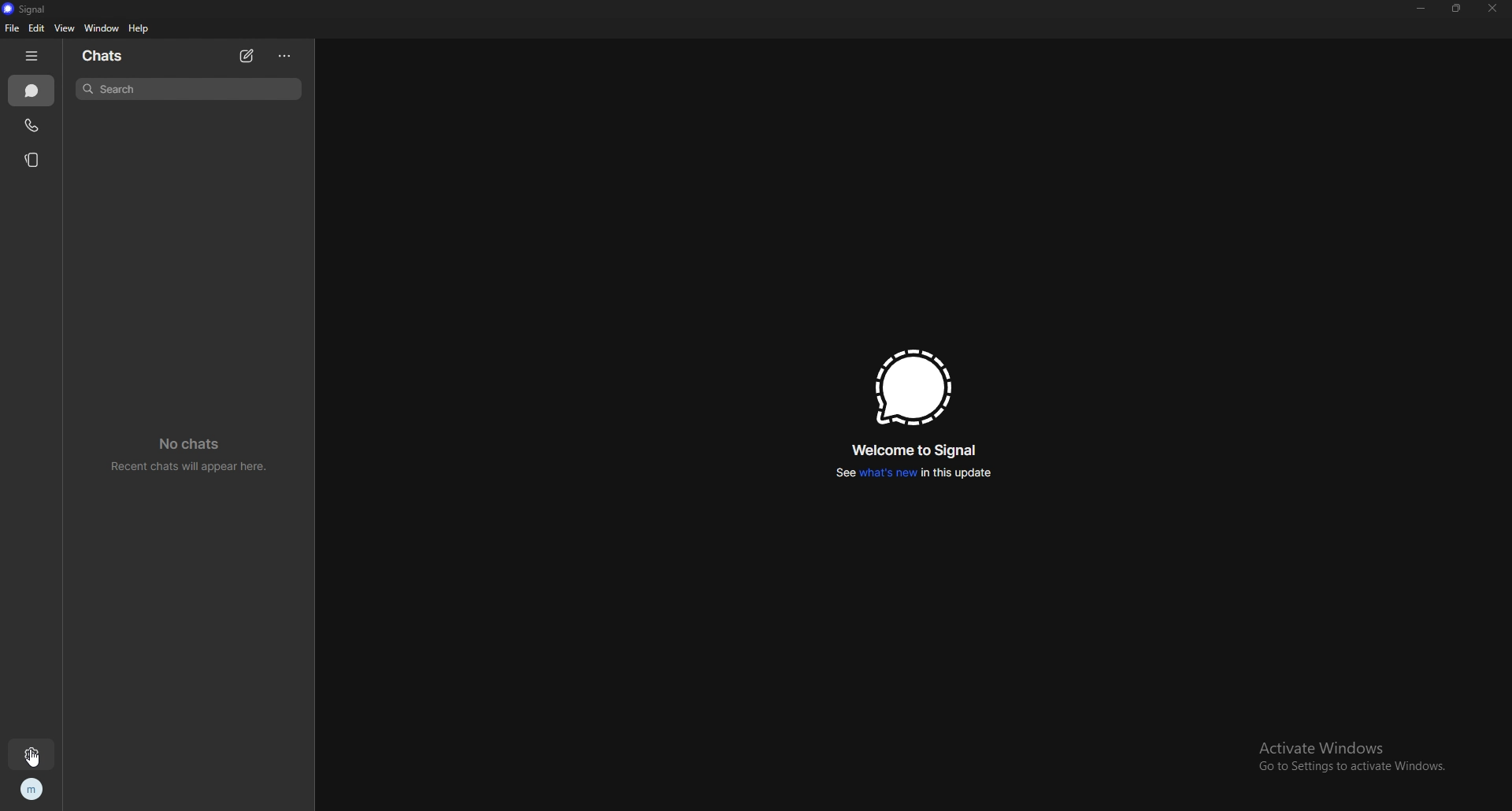 This screenshot has width=1512, height=811. What do you see at coordinates (285, 55) in the screenshot?
I see `options` at bounding box center [285, 55].